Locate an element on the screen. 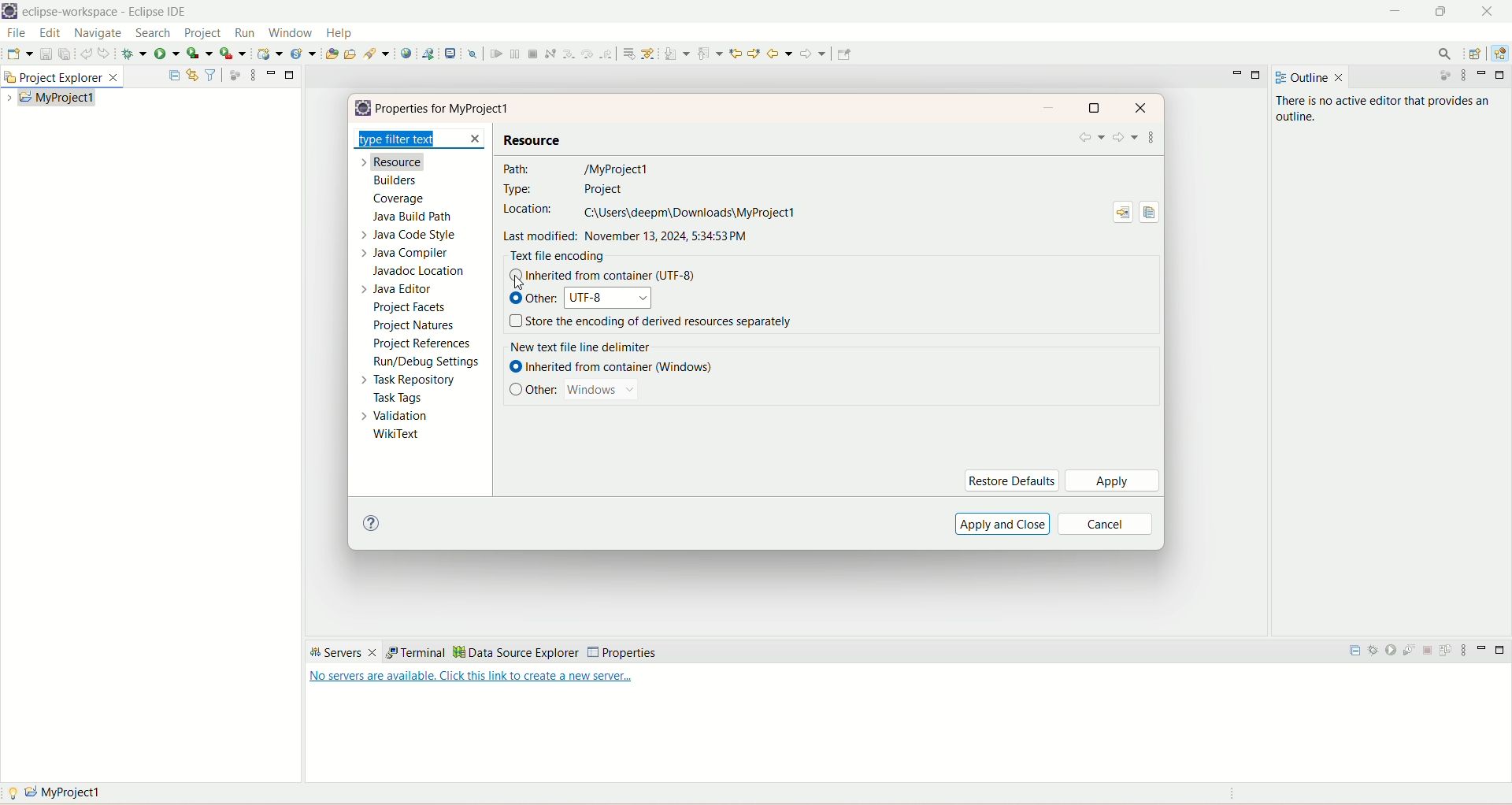 This screenshot has width=1512, height=805. validation is located at coordinates (391, 417).